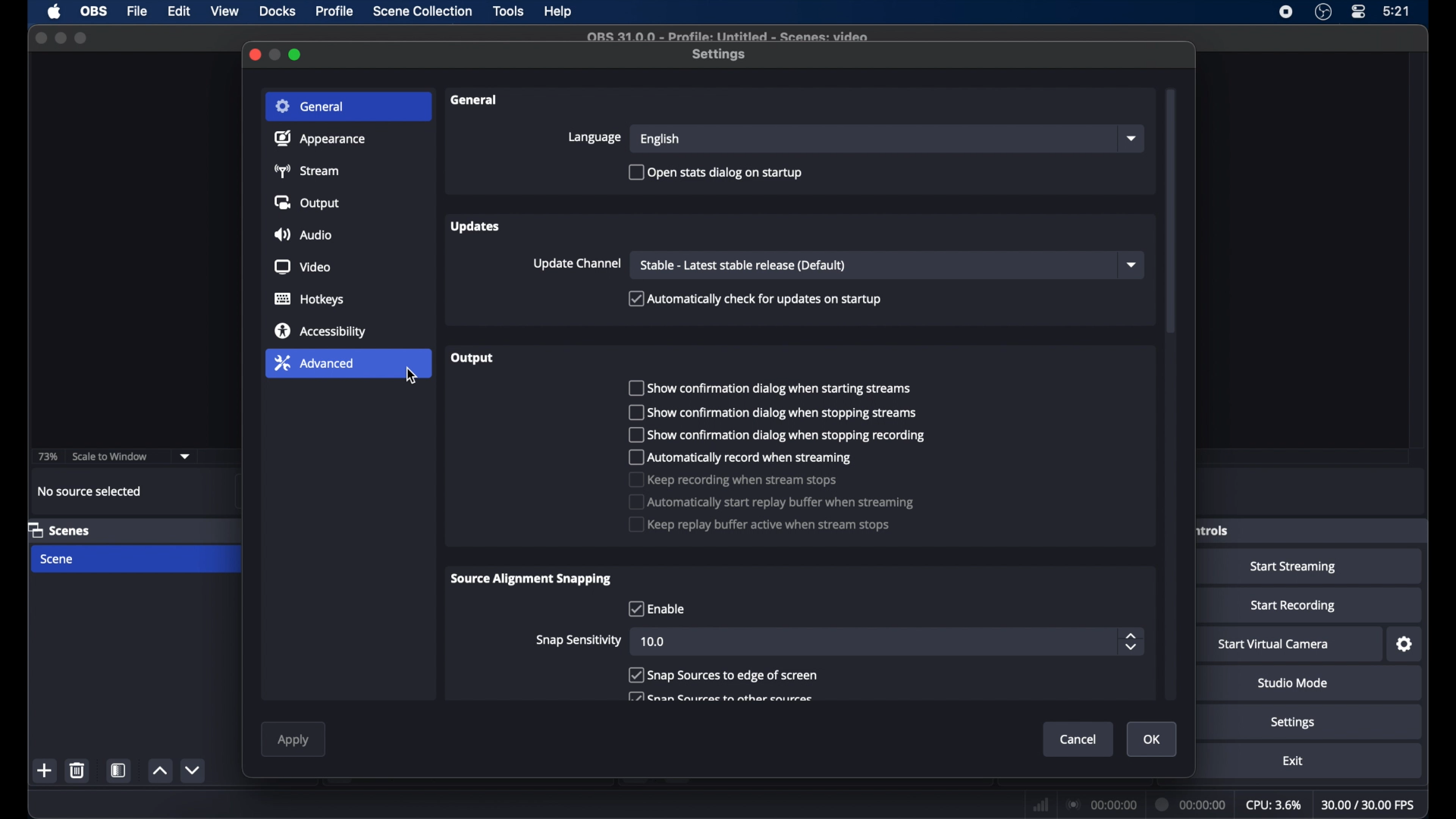 The width and height of the screenshot is (1456, 819). Describe the element at coordinates (779, 435) in the screenshot. I see `show confirmation dialog when stopping recordings` at that location.